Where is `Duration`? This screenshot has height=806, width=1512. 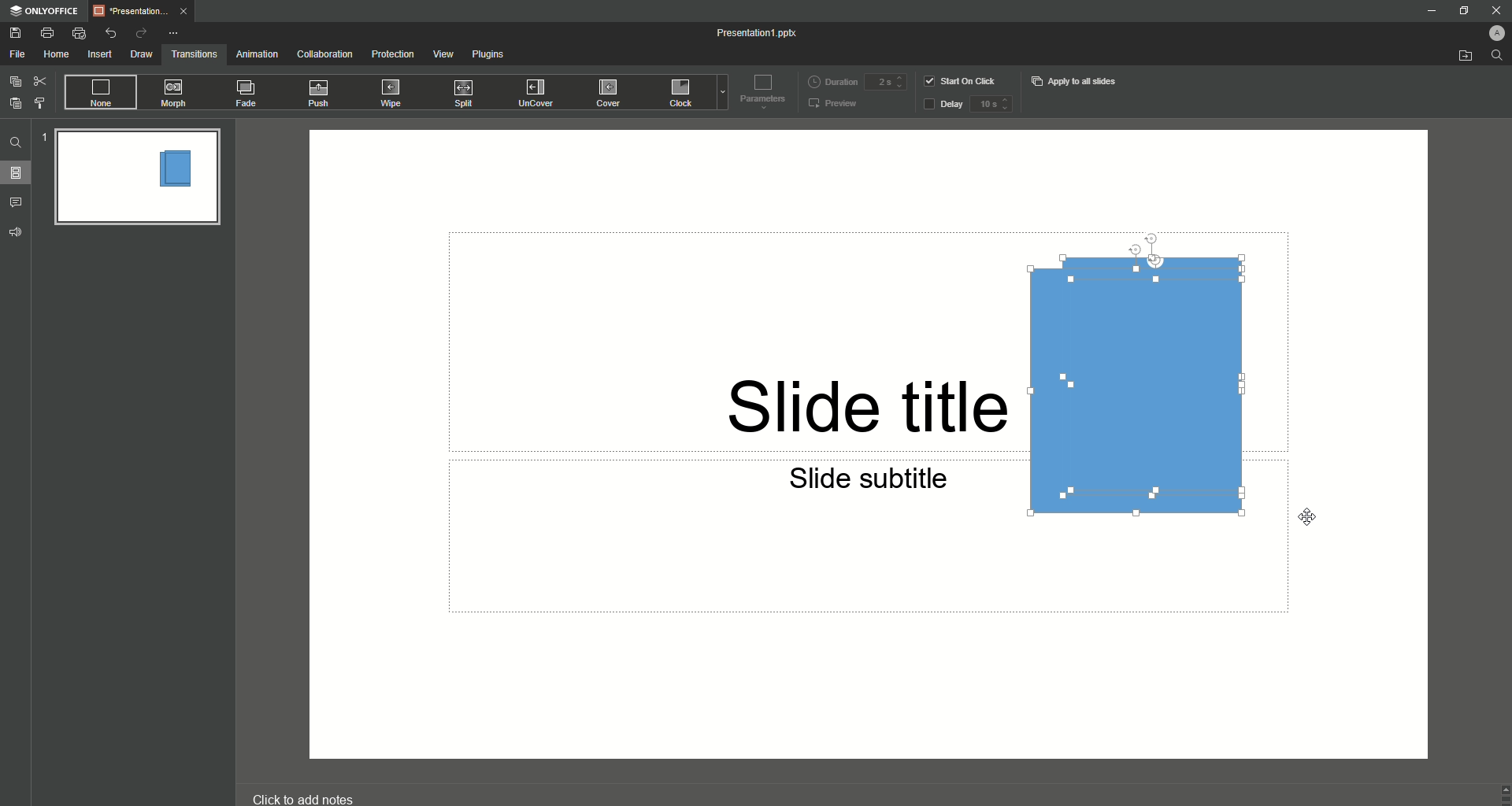
Duration is located at coordinates (832, 80).